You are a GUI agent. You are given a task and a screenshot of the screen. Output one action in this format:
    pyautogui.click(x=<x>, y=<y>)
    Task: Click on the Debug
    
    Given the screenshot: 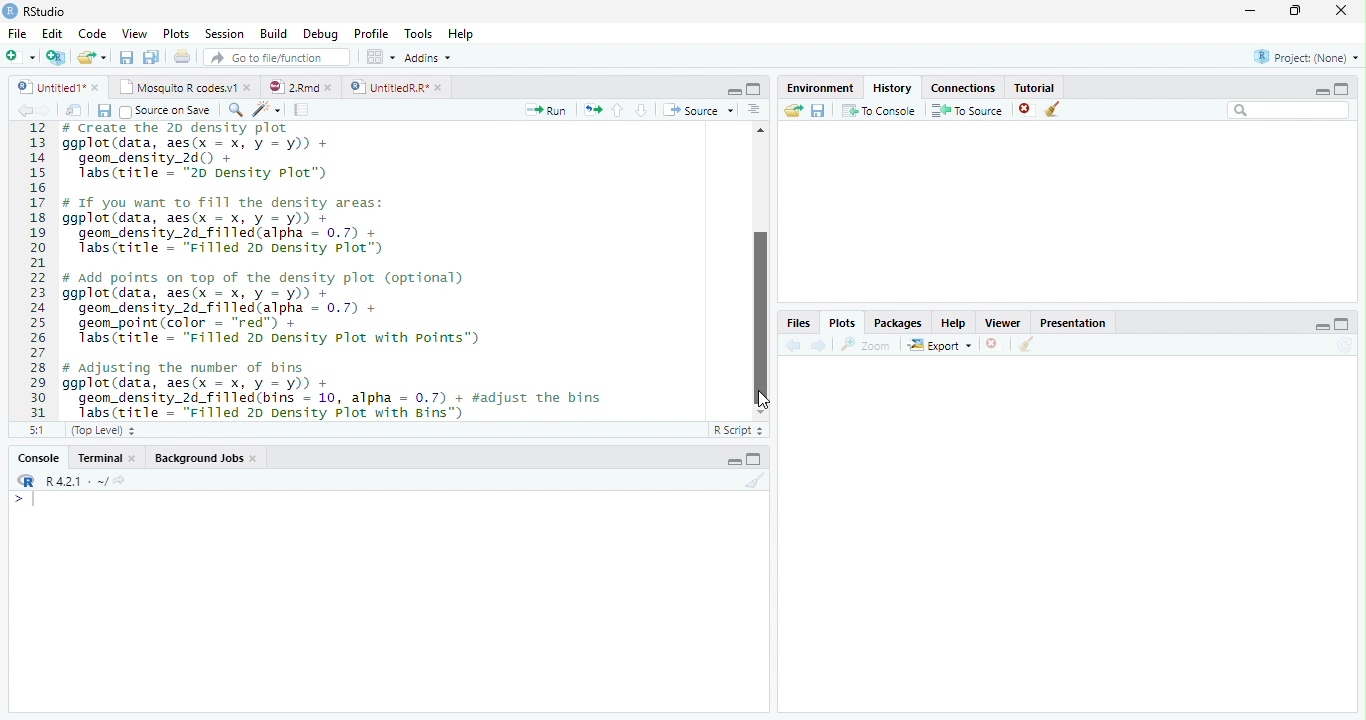 What is the action you would take?
    pyautogui.click(x=321, y=35)
    